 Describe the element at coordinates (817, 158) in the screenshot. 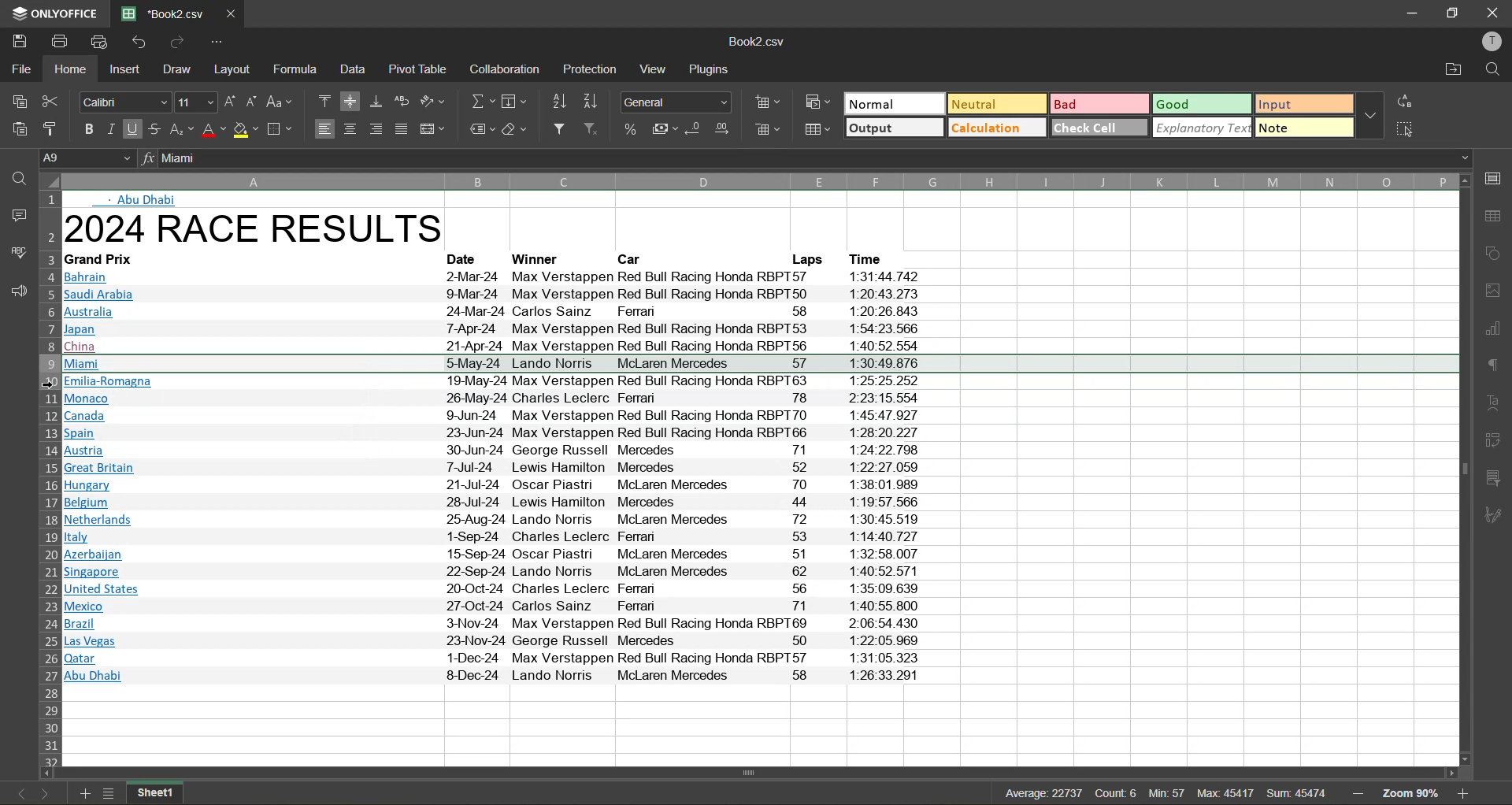

I see `formula bar` at that location.